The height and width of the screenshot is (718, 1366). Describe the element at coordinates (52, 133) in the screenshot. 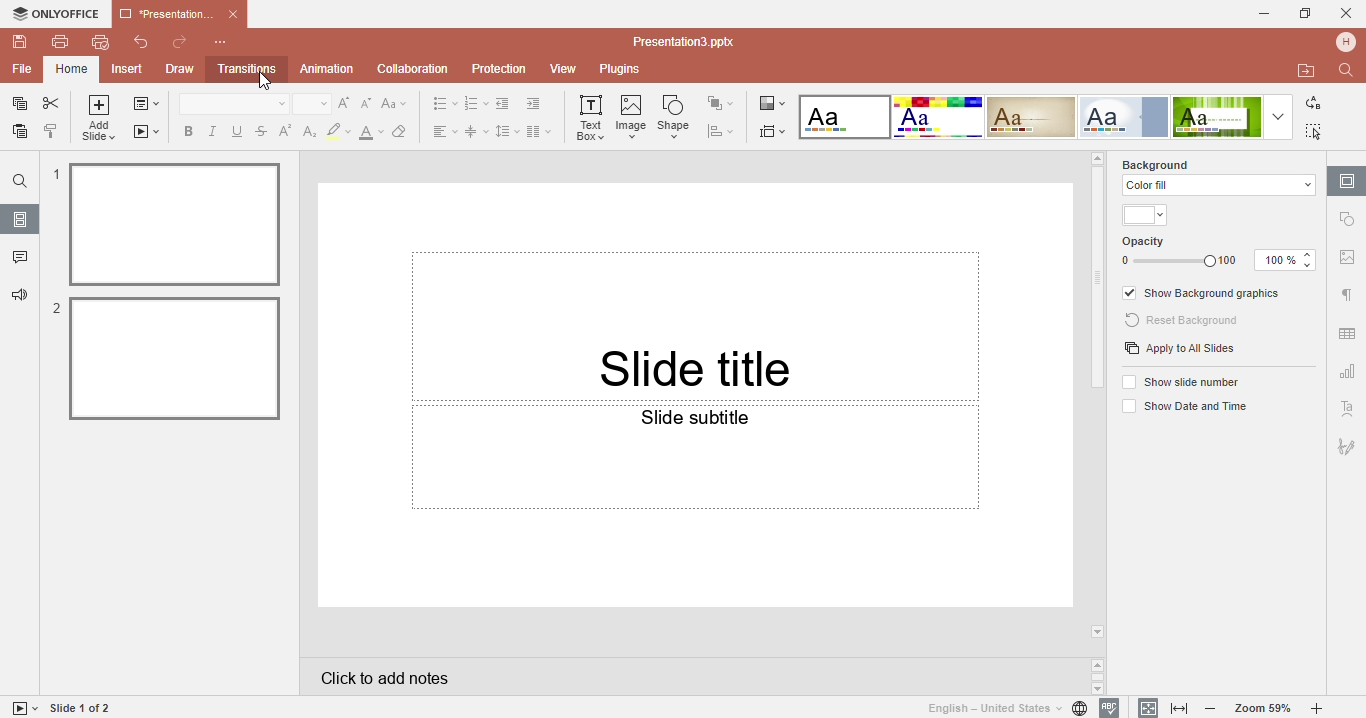

I see `Copy style` at that location.